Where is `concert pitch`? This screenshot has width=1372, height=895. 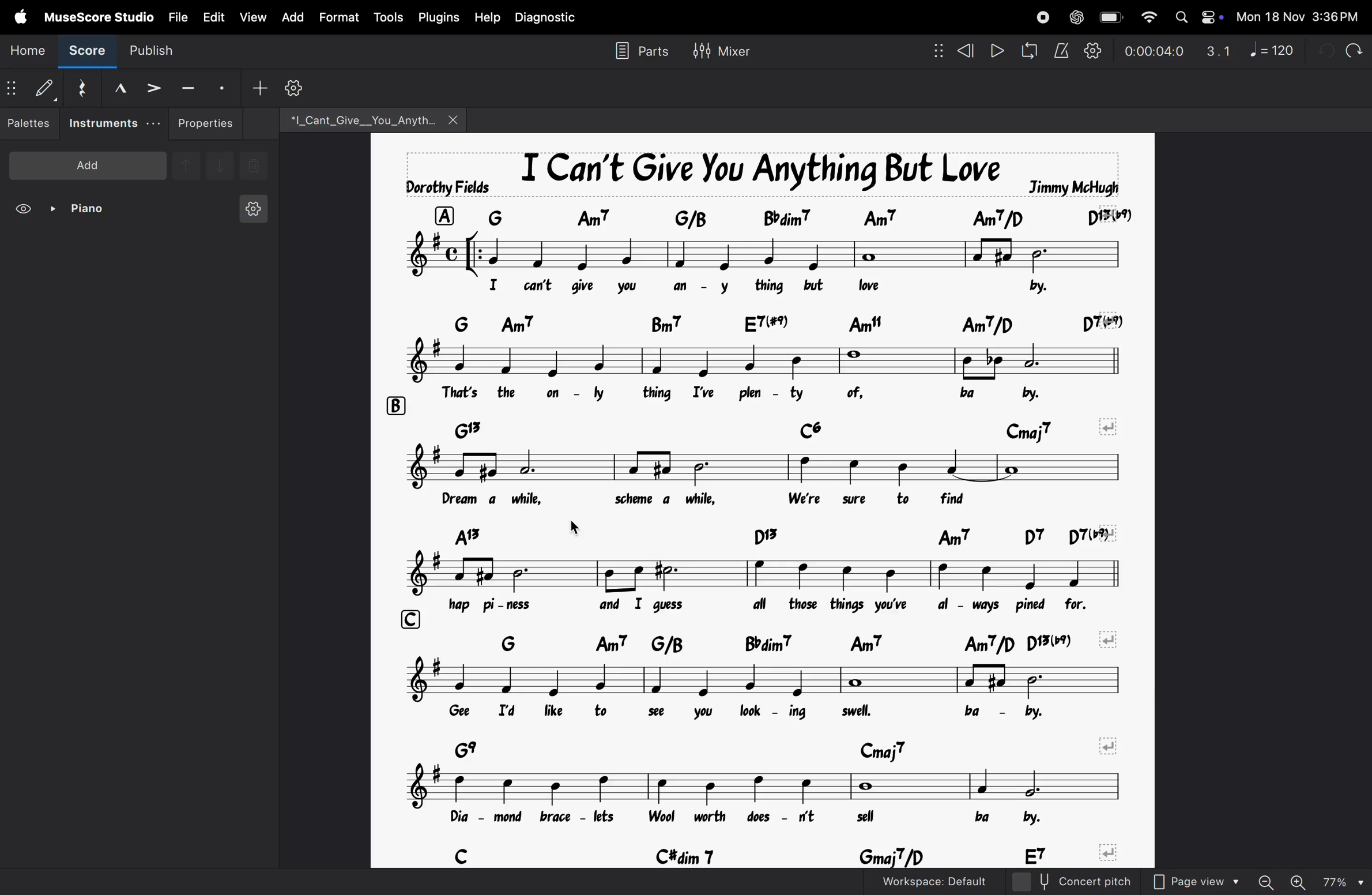
concert pitch is located at coordinates (1069, 881).